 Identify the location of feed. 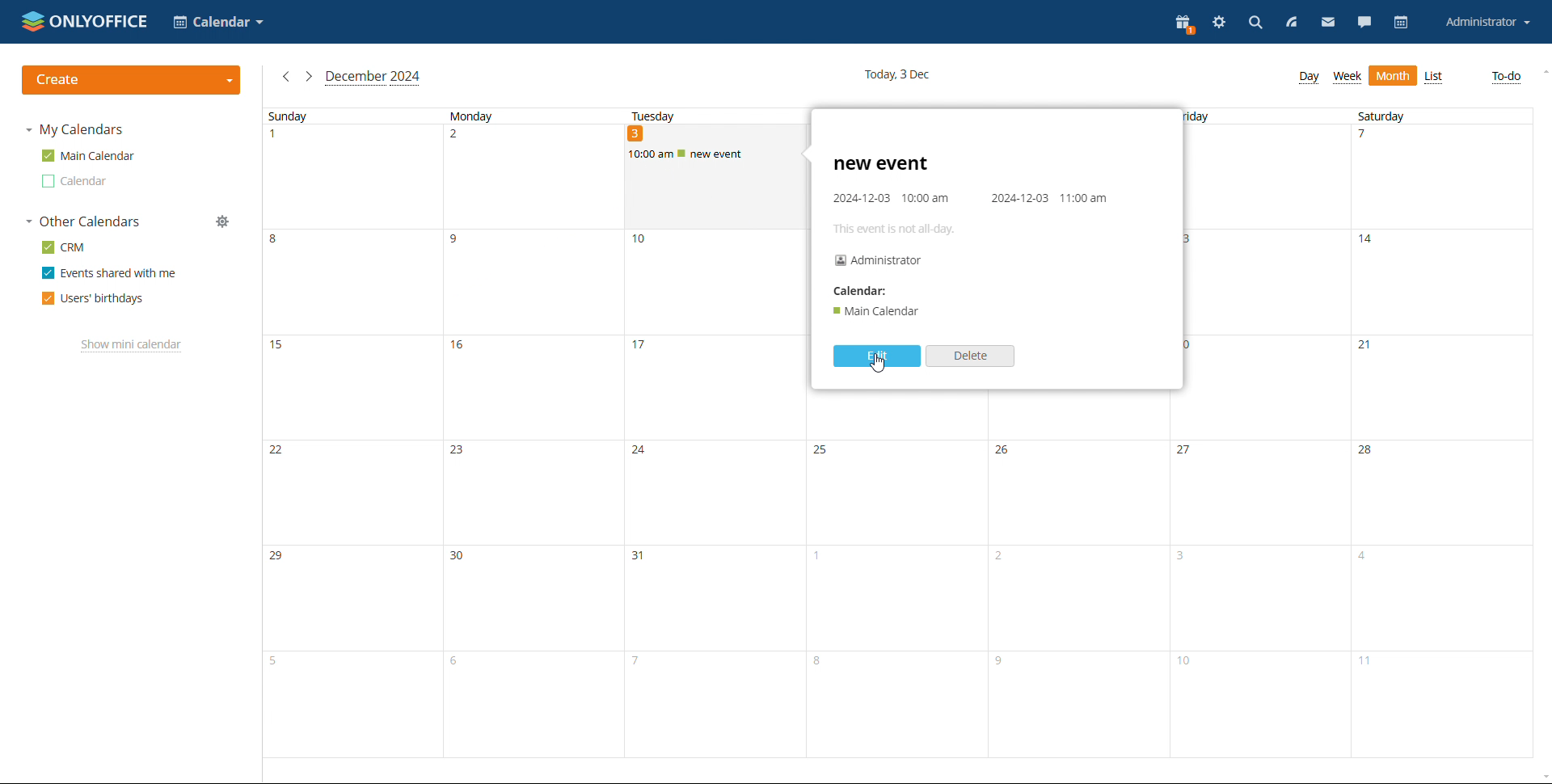
(1291, 23).